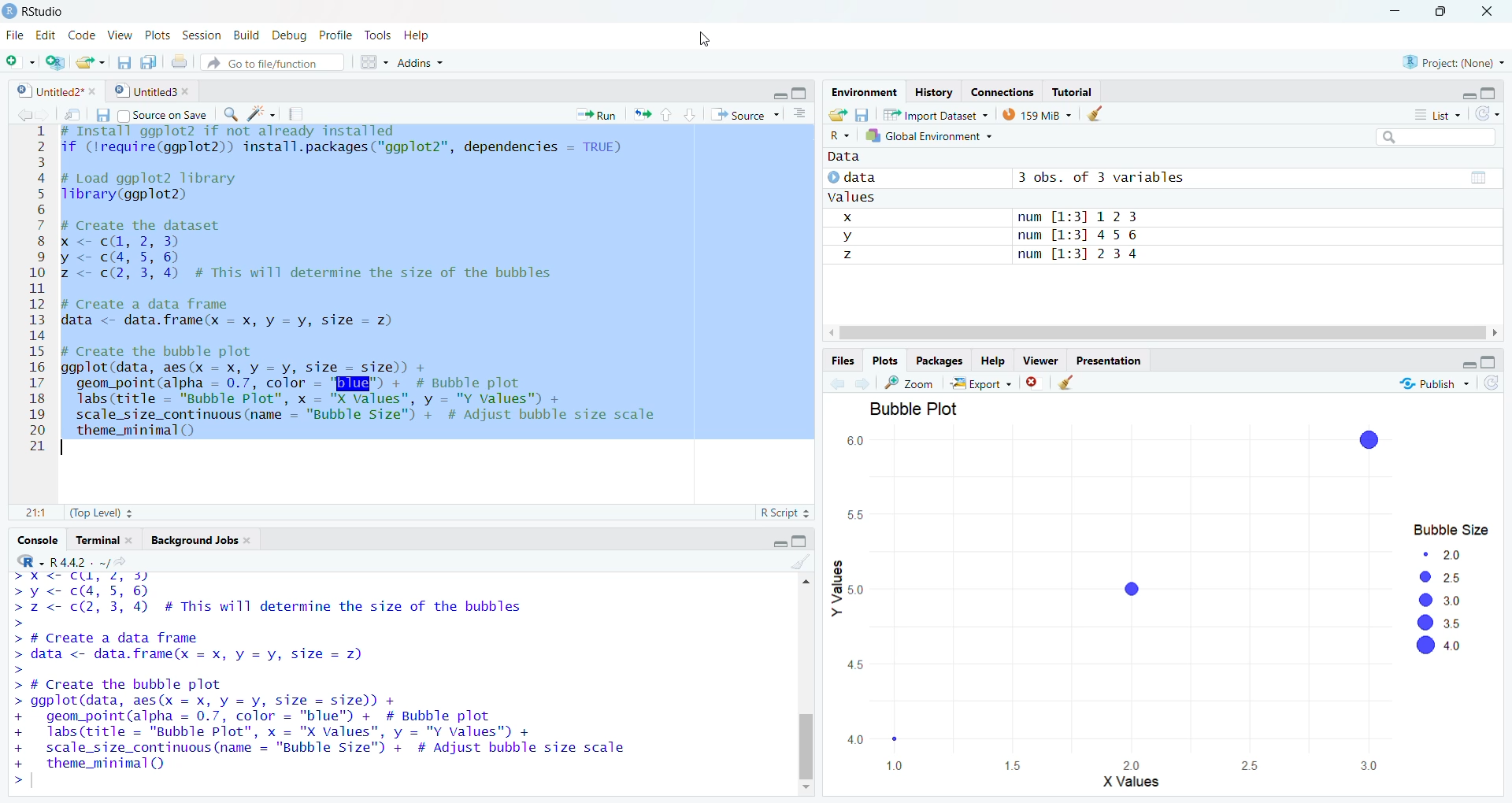  Describe the element at coordinates (260, 114) in the screenshot. I see `code tools` at that location.